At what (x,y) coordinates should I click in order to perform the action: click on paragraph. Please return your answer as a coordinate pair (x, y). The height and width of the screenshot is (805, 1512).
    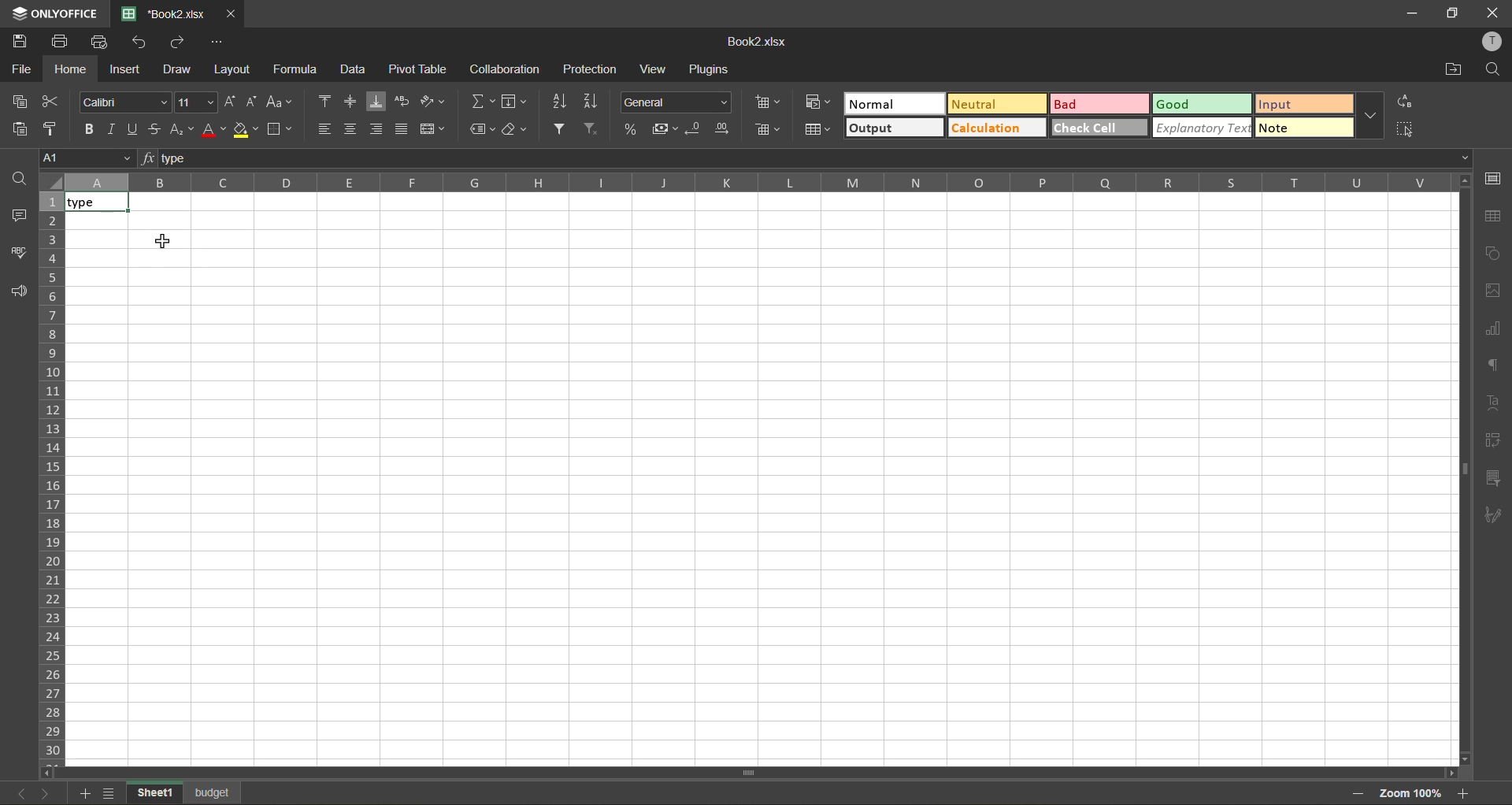
    Looking at the image, I should click on (1492, 364).